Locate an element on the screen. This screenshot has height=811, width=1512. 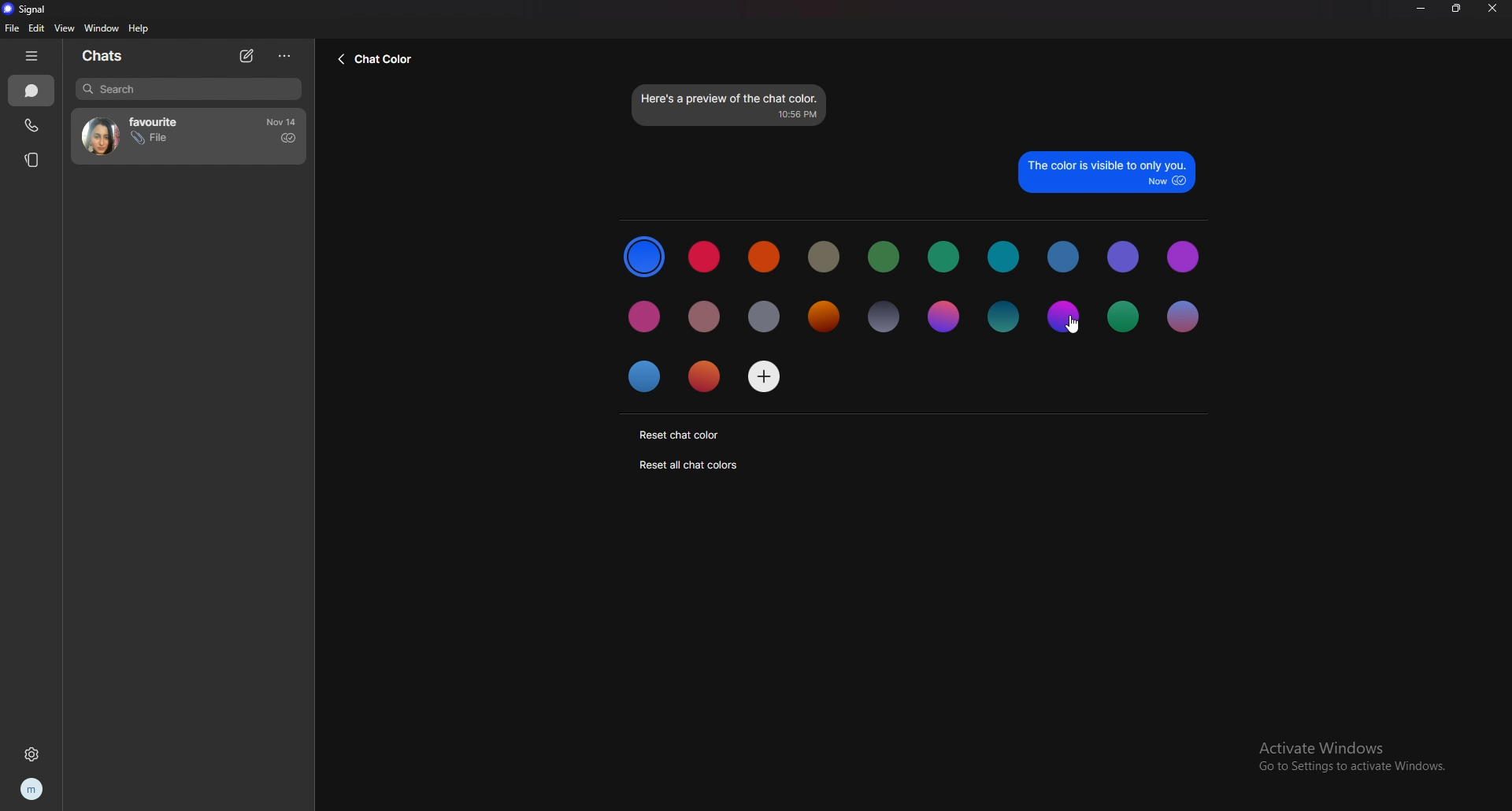
color is located at coordinates (706, 374).